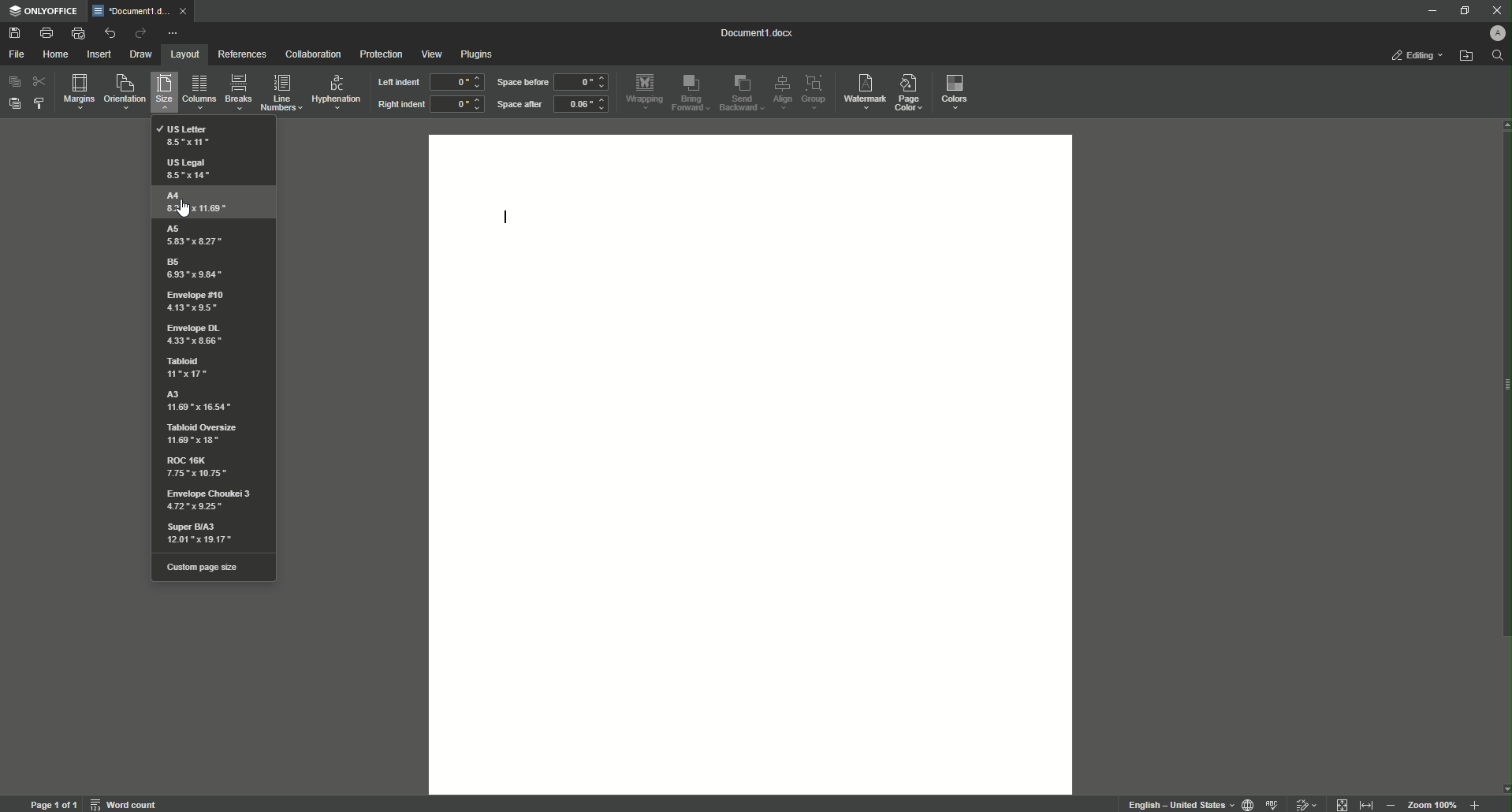  Describe the element at coordinates (17, 54) in the screenshot. I see `File` at that location.